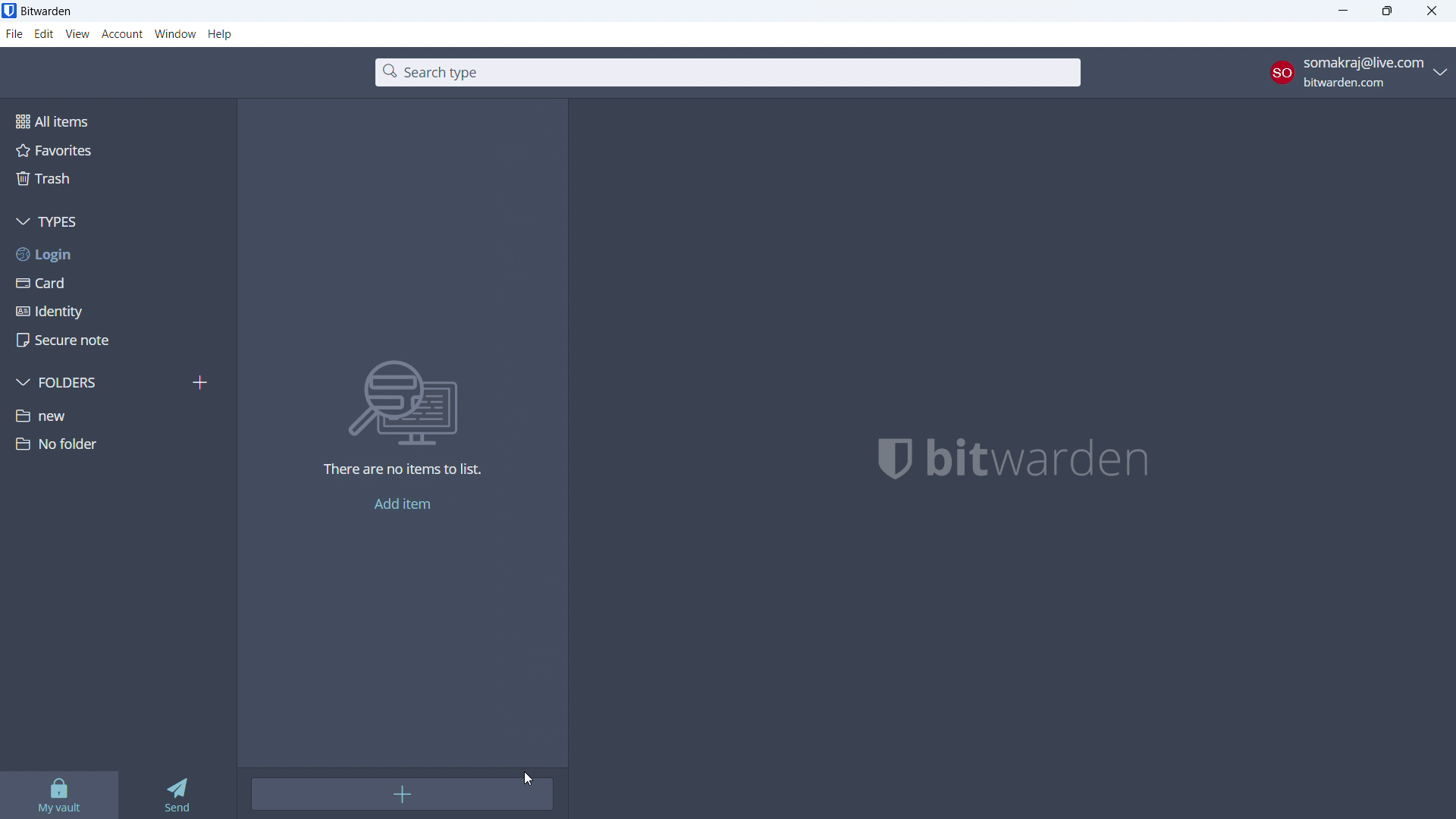 This screenshot has width=1456, height=819. What do you see at coordinates (116, 178) in the screenshot?
I see `trash` at bounding box center [116, 178].